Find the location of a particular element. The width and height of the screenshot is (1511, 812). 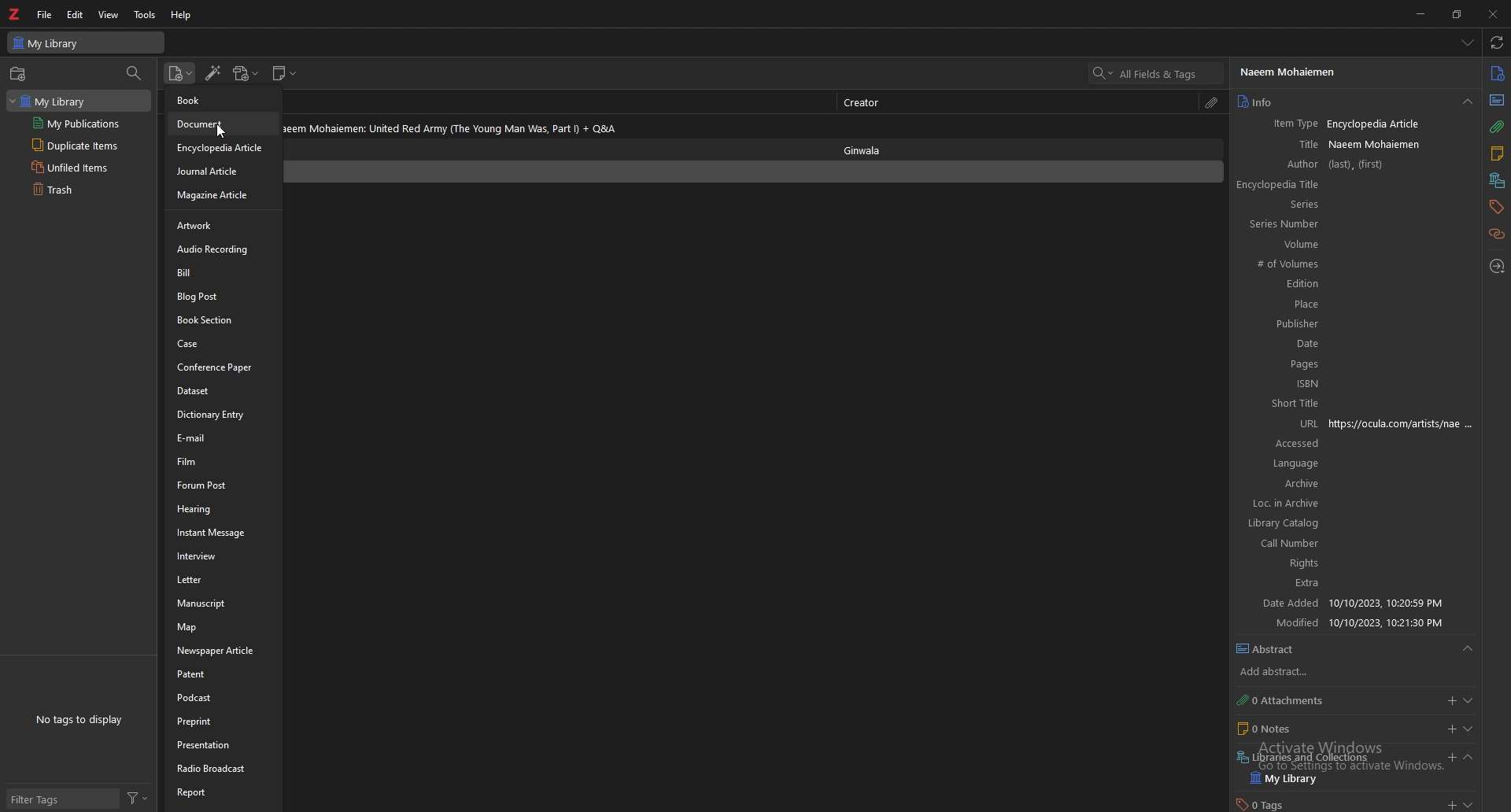

tags is located at coordinates (1496, 206).